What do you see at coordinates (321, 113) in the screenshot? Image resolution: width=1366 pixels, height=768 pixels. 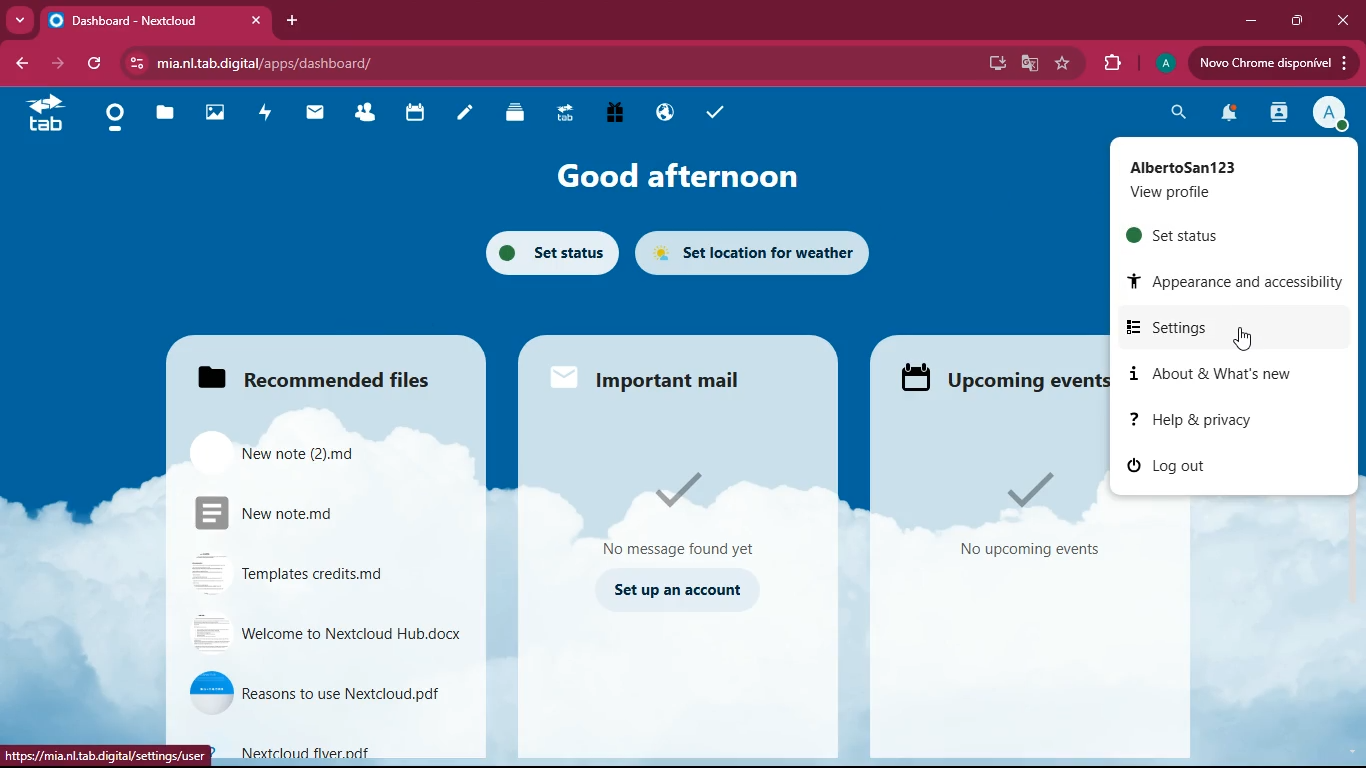 I see `mail` at bounding box center [321, 113].